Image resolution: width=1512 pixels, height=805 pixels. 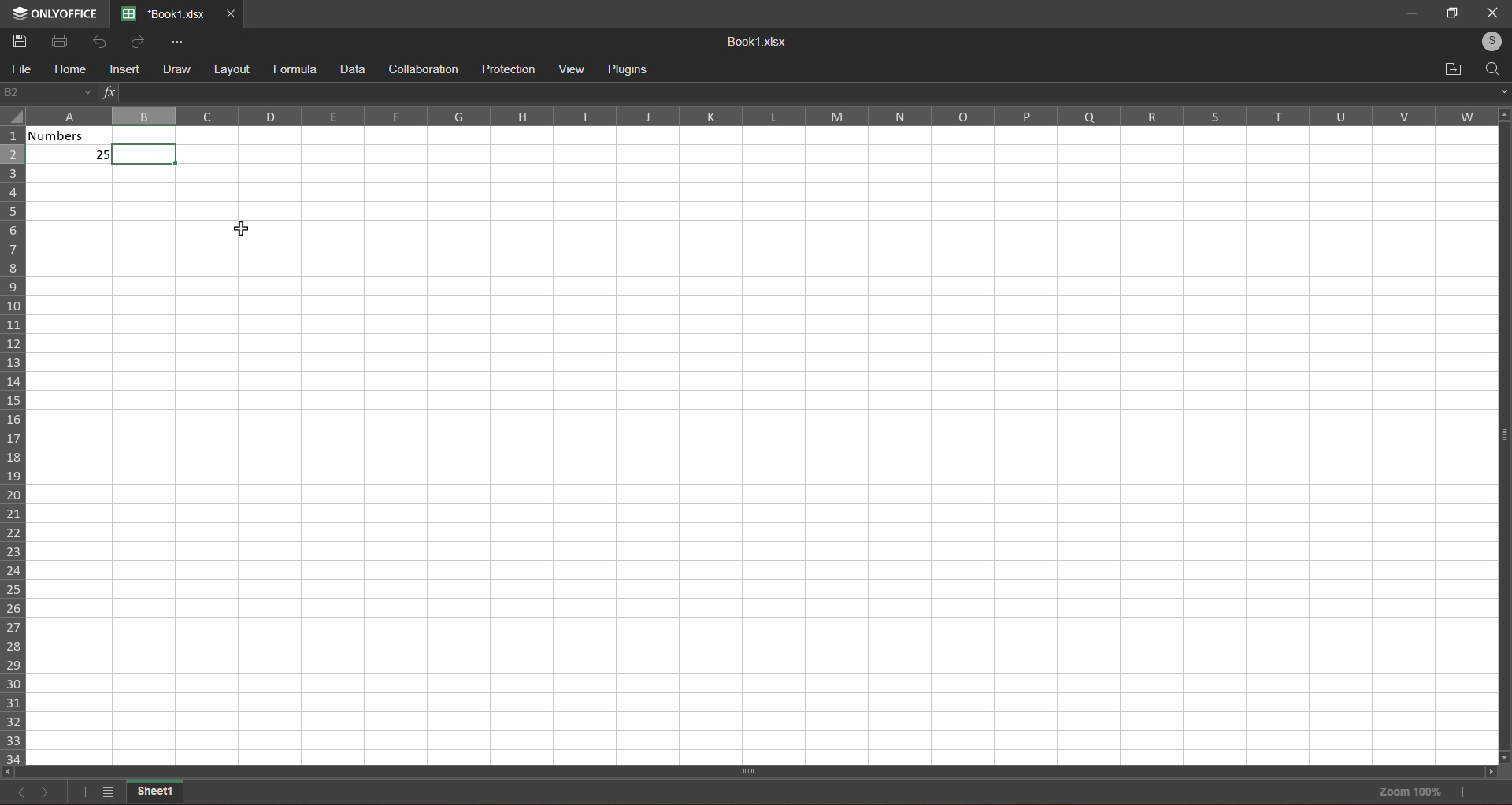 What do you see at coordinates (750, 770) in the screenshot?
I see `Horizontal scroll bar` at bounding box center [750, 770].